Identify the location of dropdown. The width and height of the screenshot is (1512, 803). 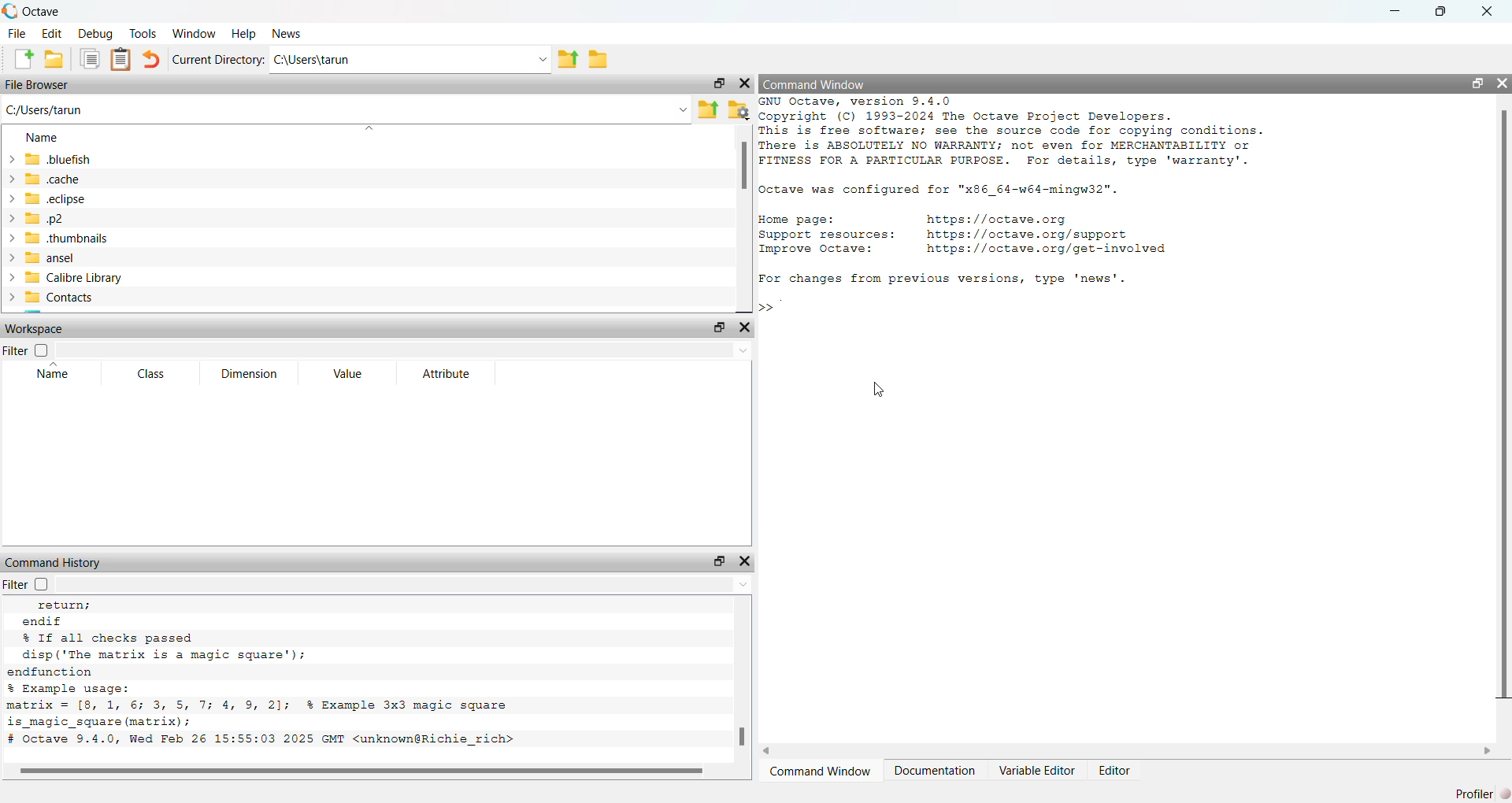
(742, 350).